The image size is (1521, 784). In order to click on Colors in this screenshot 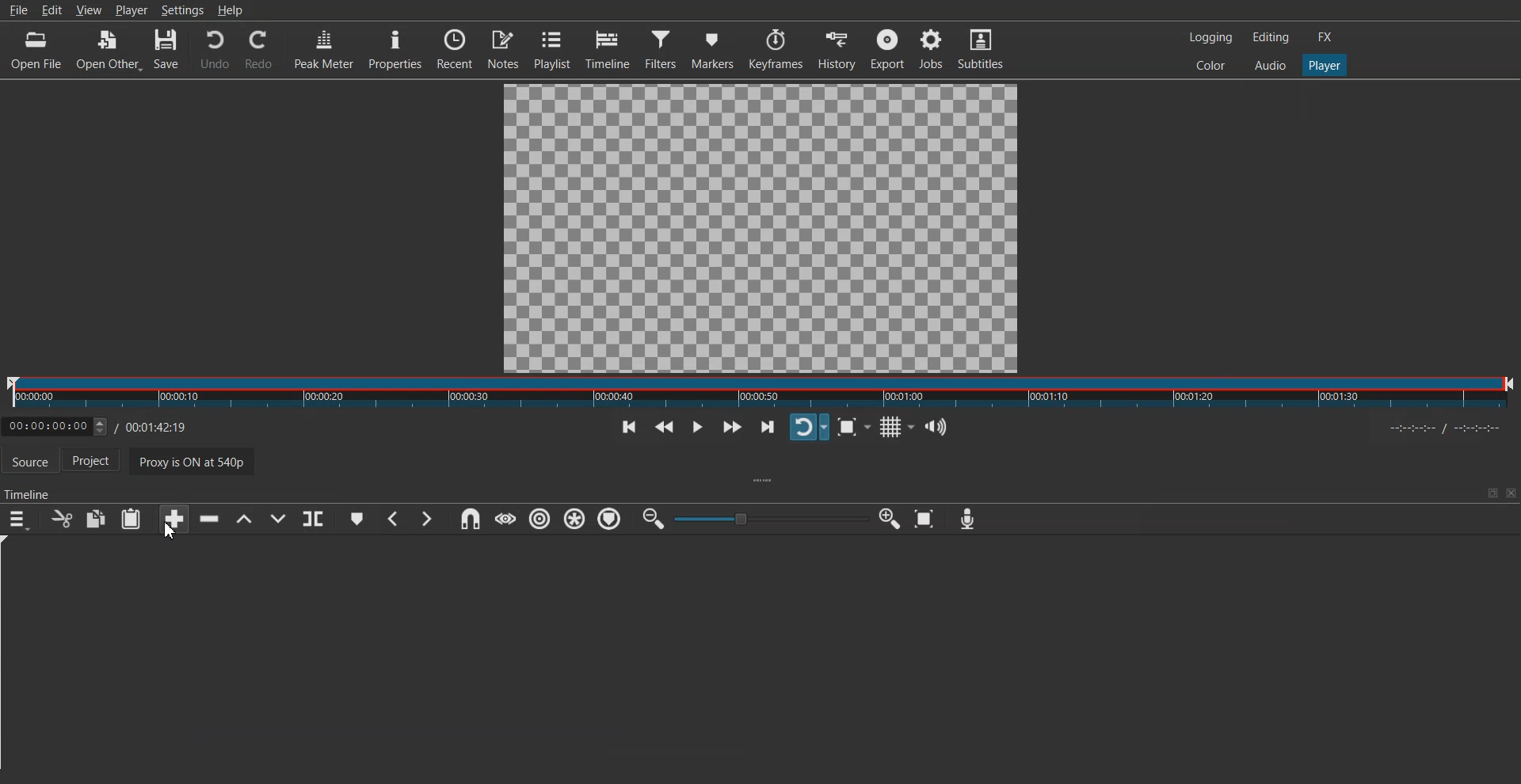, I will do `click(1210, 64)`.